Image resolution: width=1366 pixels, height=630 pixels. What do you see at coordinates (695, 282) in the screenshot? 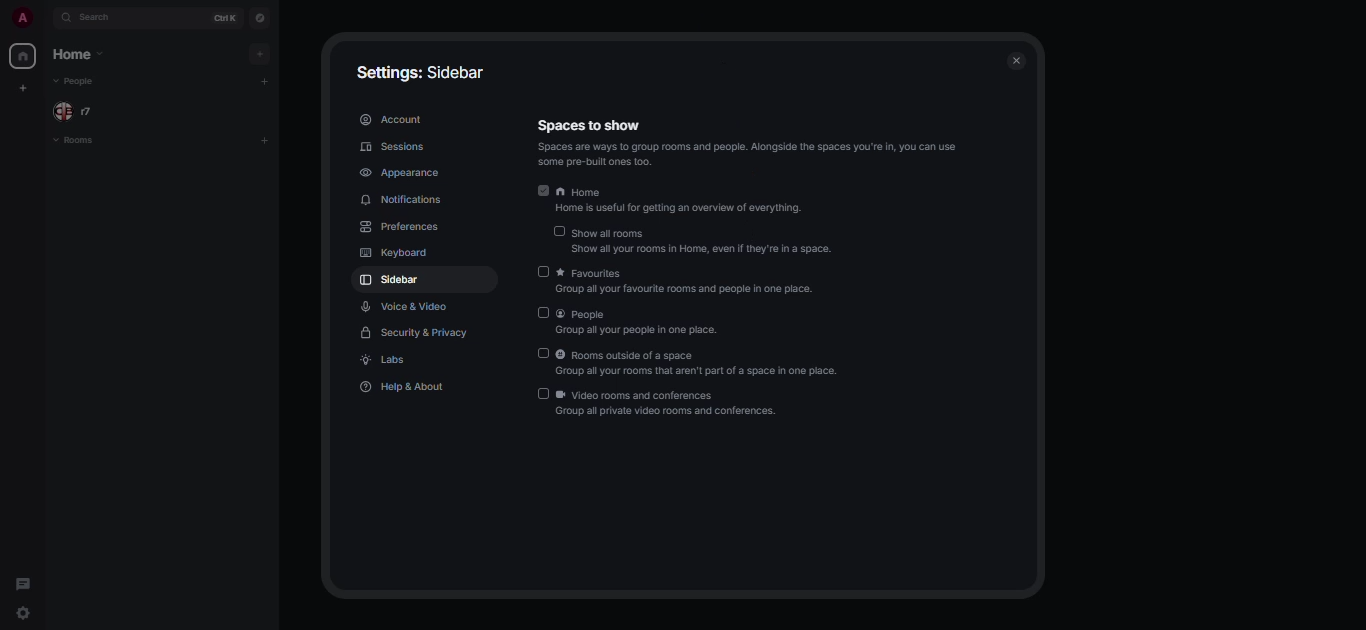
I see `favorites` at bounding box center [695, 282].